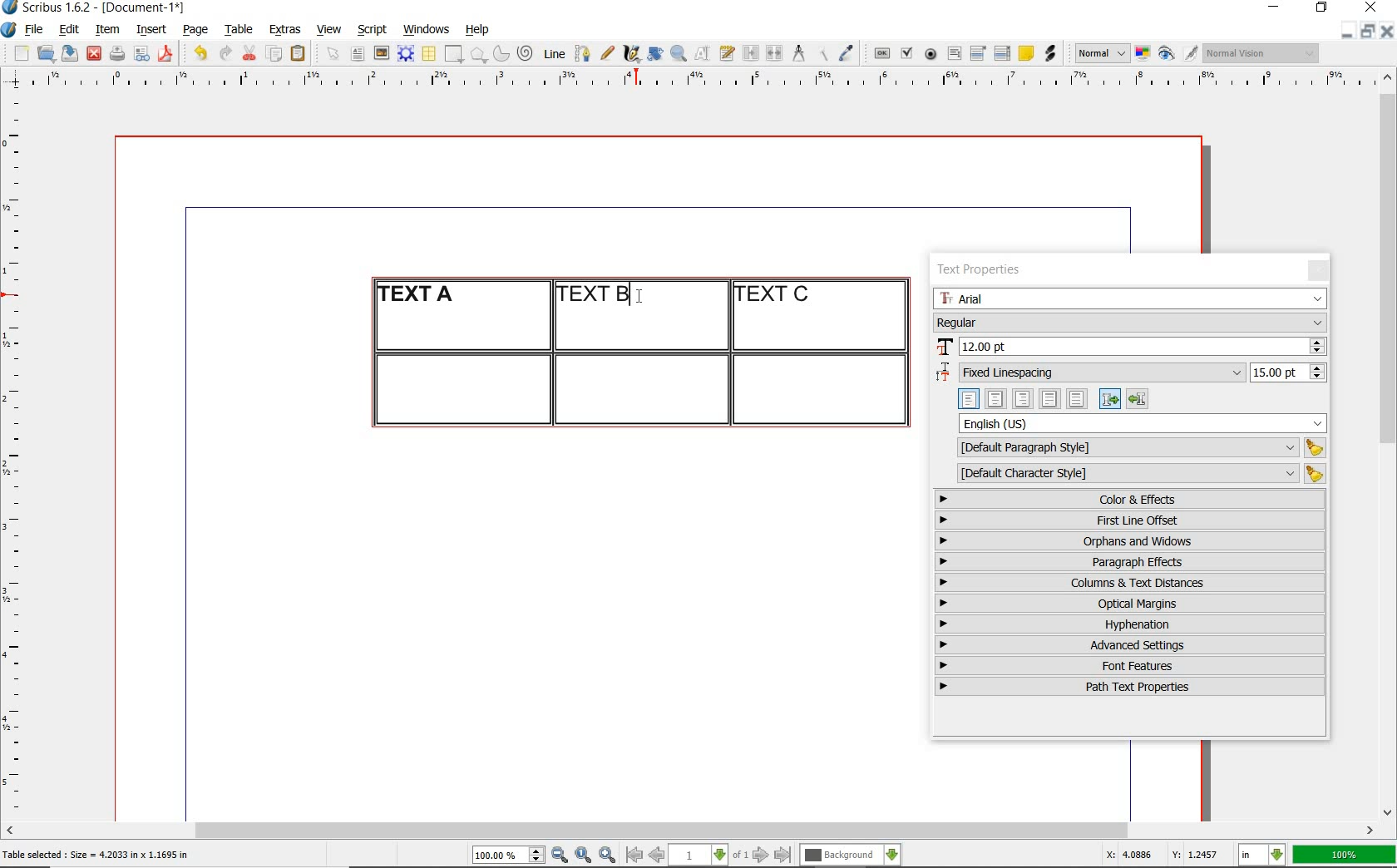 The width and height of the screenshot is (1397, 868). What do you see at coordinates (275, 55) in the screenshot?
I see `copy` at bounding box center [275, 55].